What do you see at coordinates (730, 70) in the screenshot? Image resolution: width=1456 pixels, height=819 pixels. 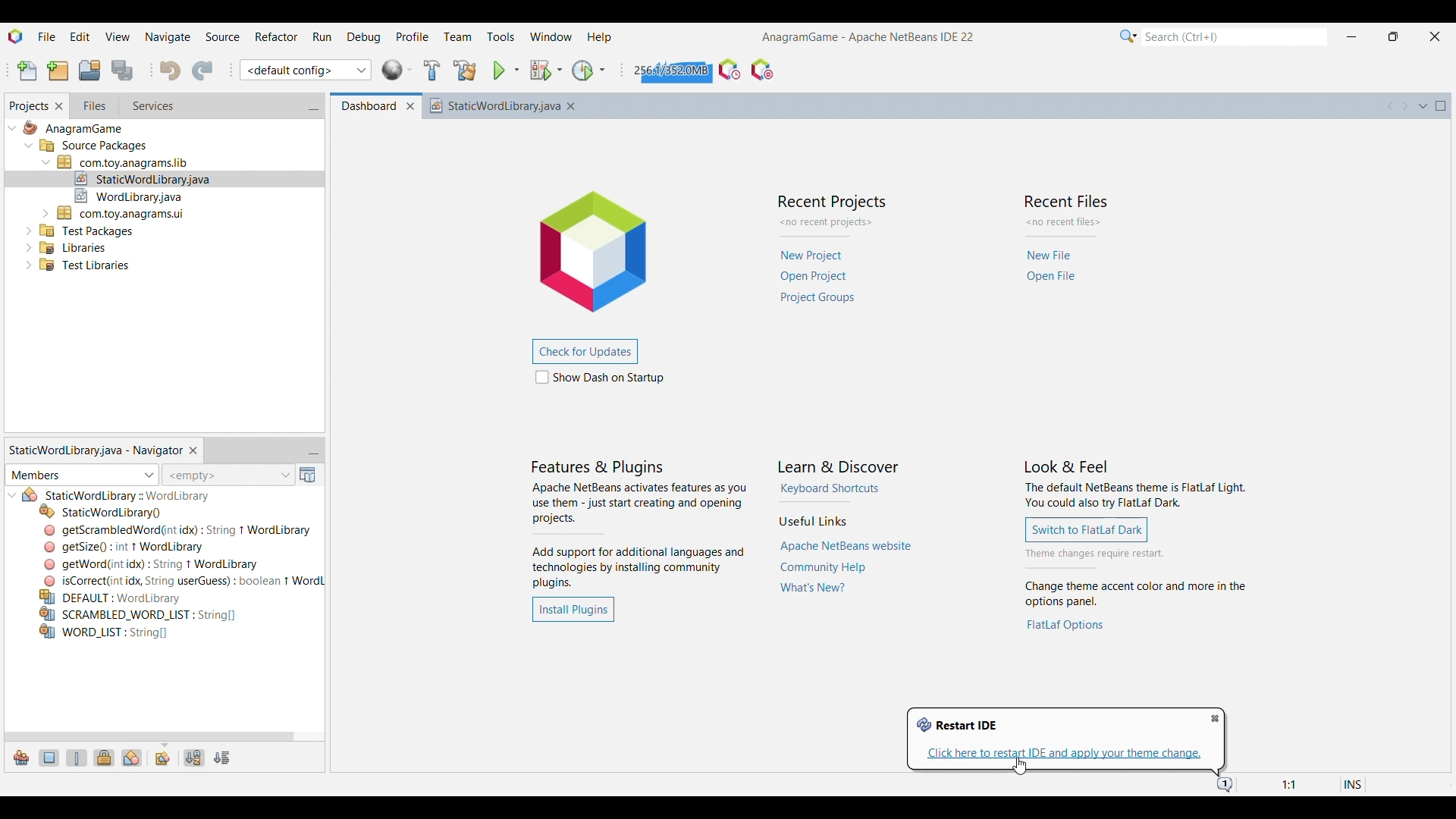 I see `Profile UDE` at bounding box center [730, 70].